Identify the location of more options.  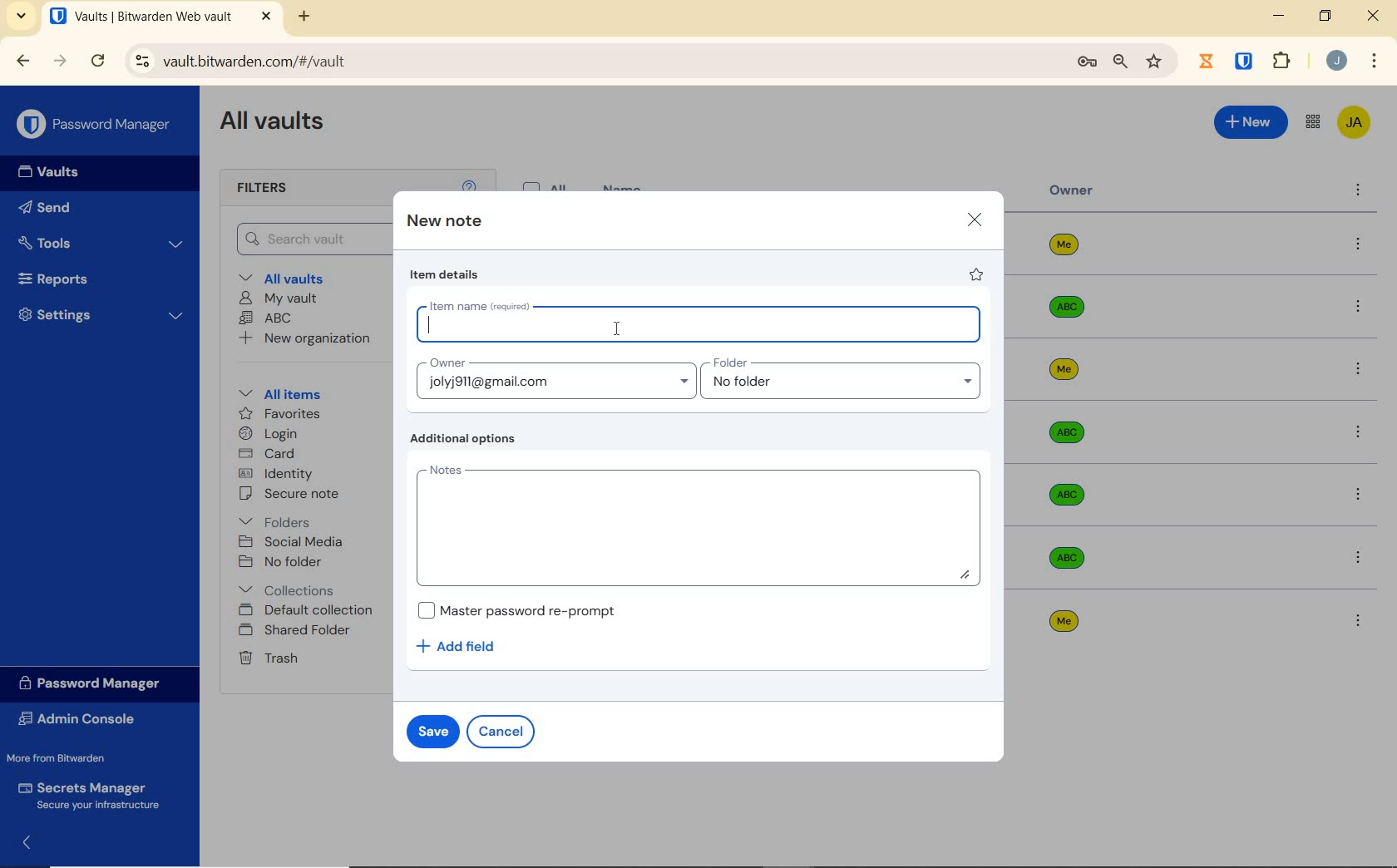
(1358, 620).